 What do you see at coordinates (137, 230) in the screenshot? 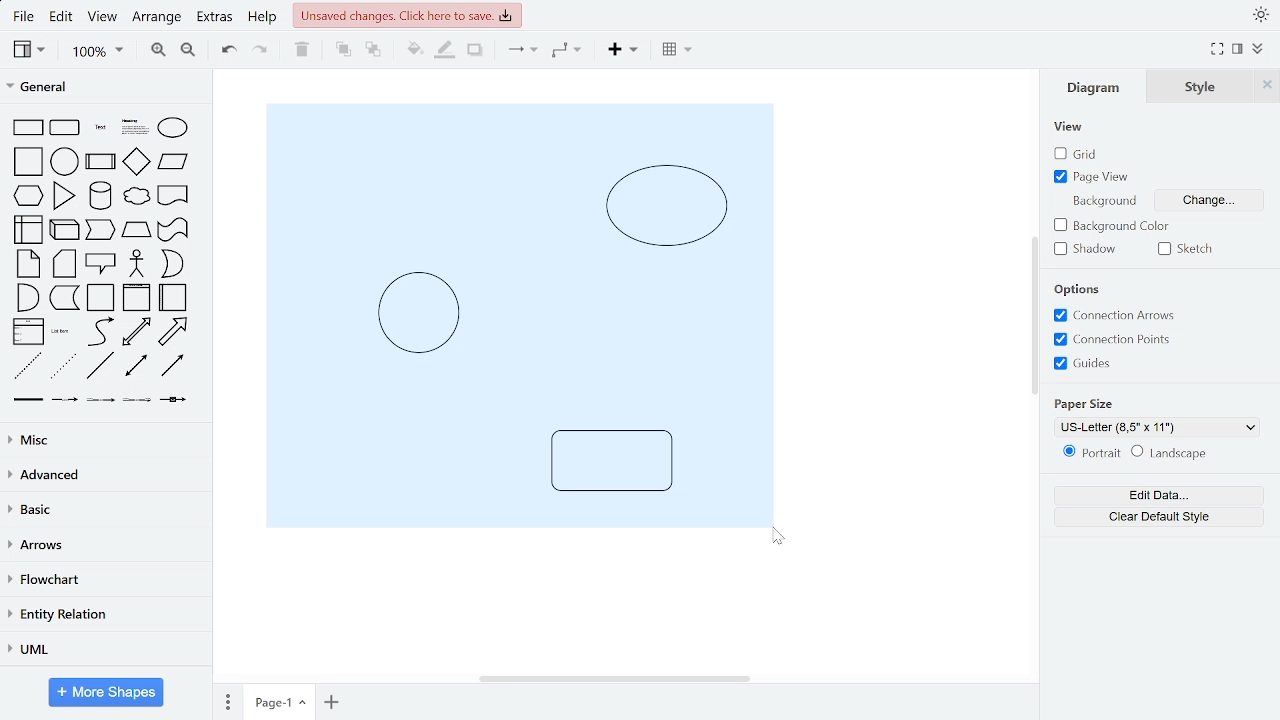
I see `trapezoid` at bounding box center [137, 230].